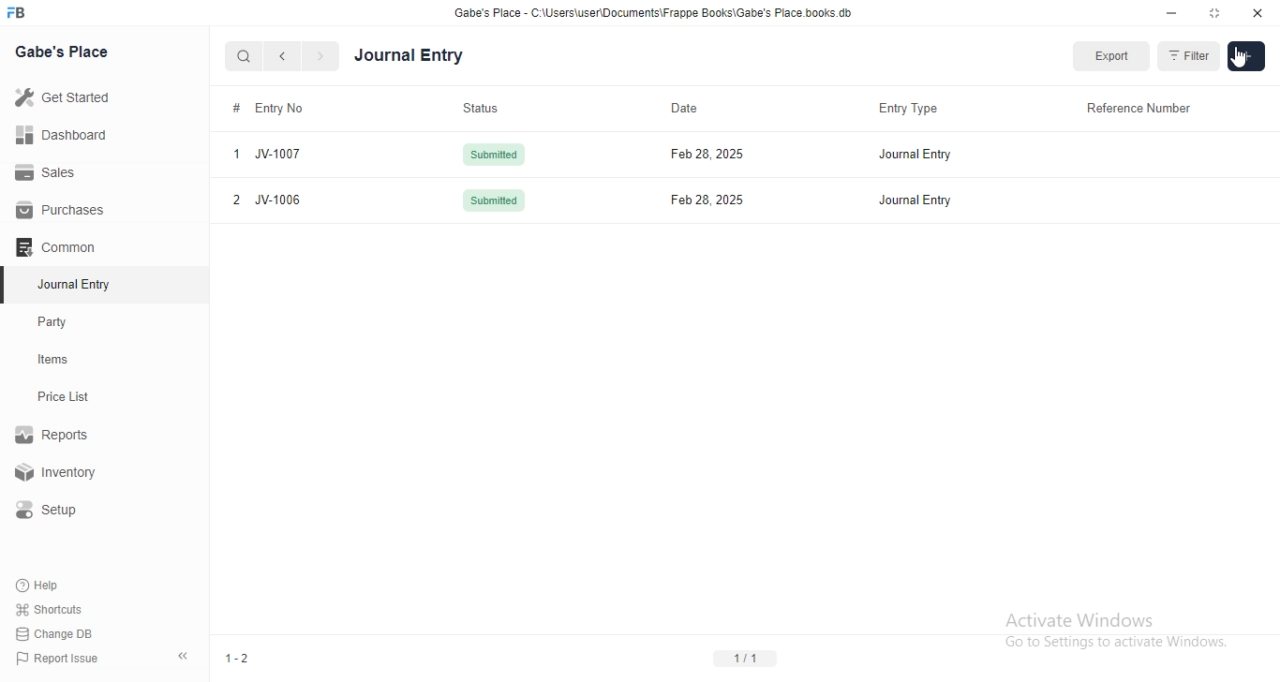 The height and width of the screenshot is (682, 1280). I want to click on Journal Entry, so click(409, 56).